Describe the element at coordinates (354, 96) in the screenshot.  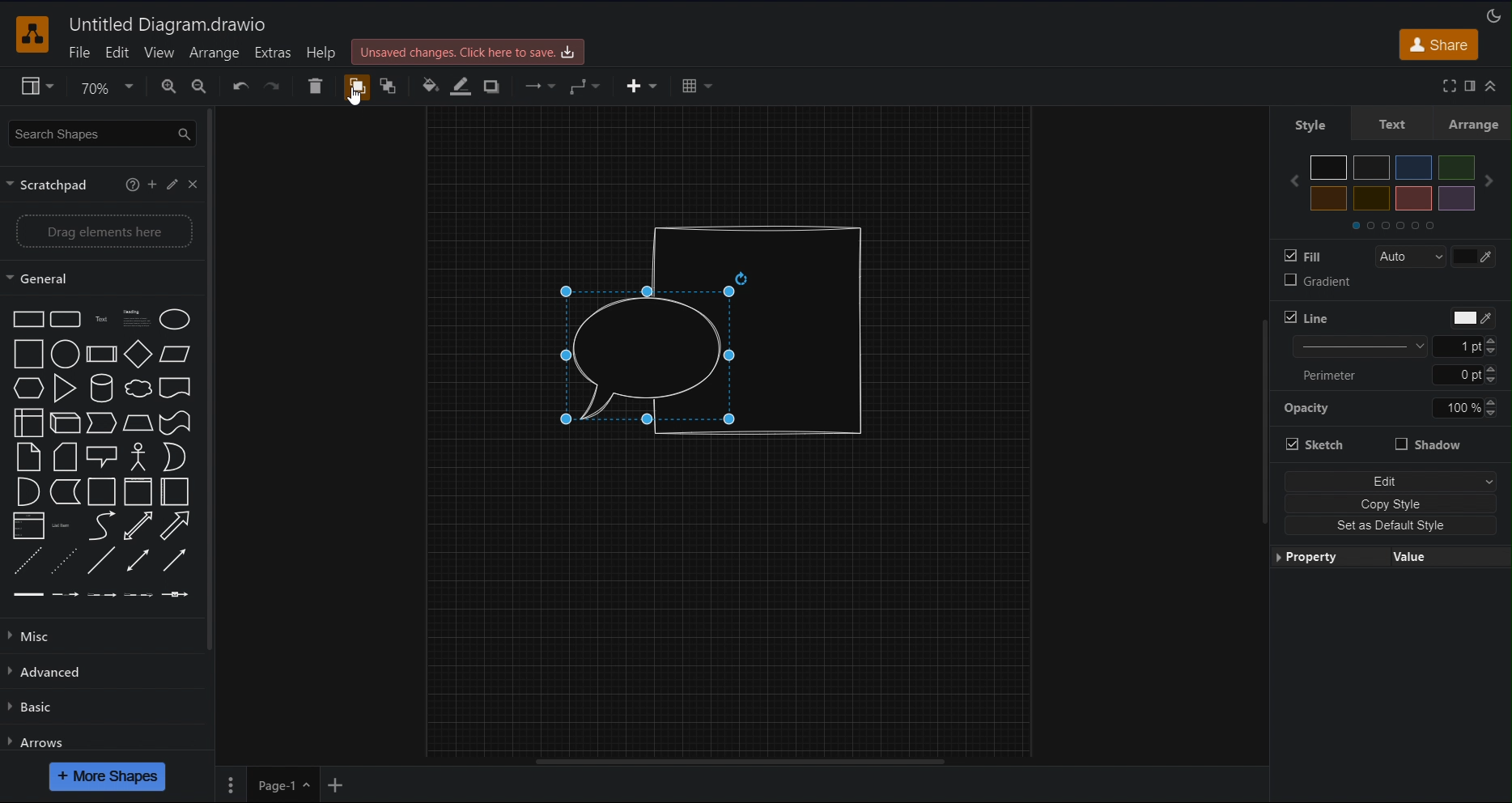
I see `Cursor` at that location.